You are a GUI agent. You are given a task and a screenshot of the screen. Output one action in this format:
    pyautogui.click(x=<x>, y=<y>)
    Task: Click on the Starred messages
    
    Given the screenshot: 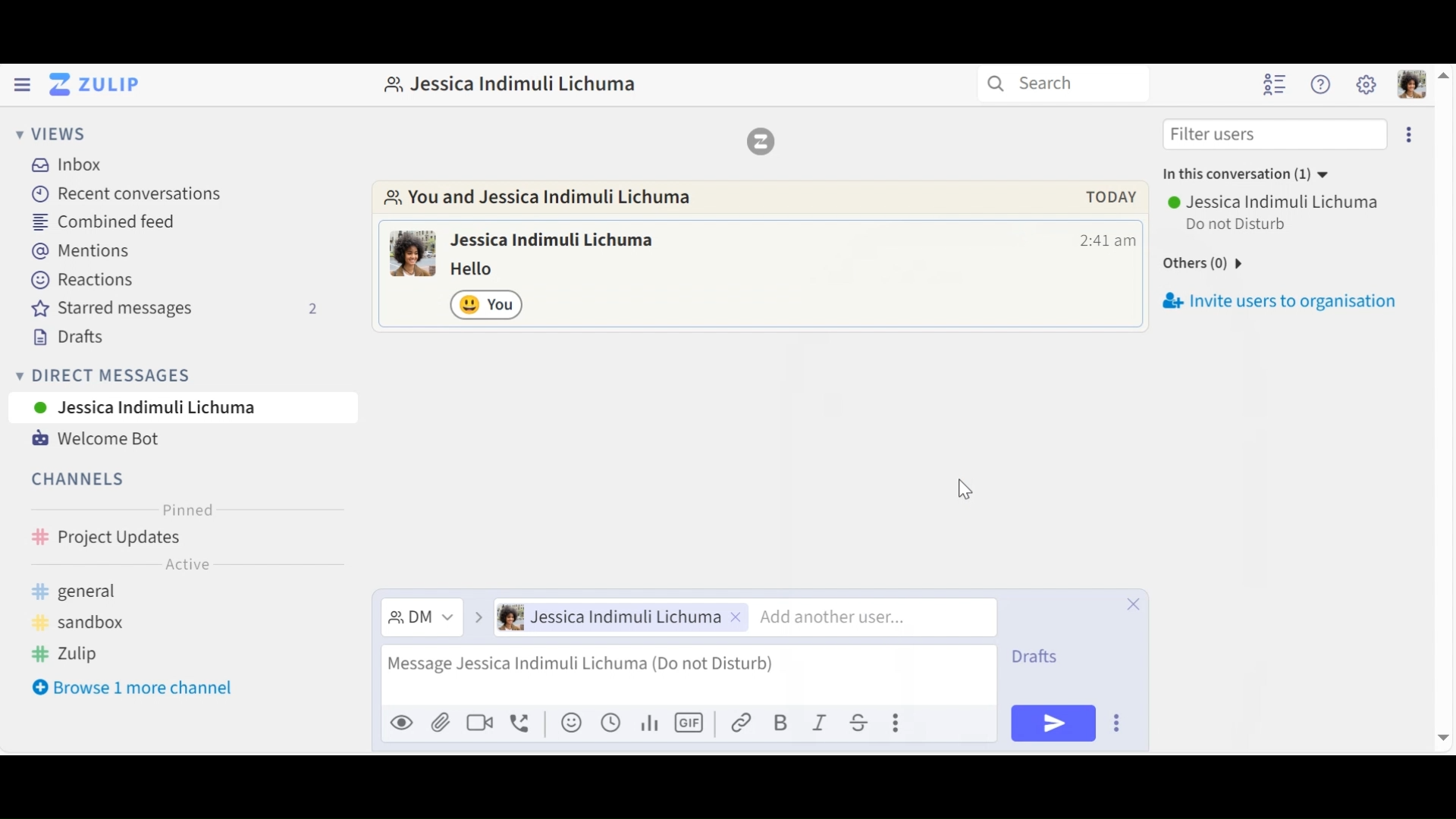 What is the action you would take?
    pyautogui.click(x=176, y=309)
    